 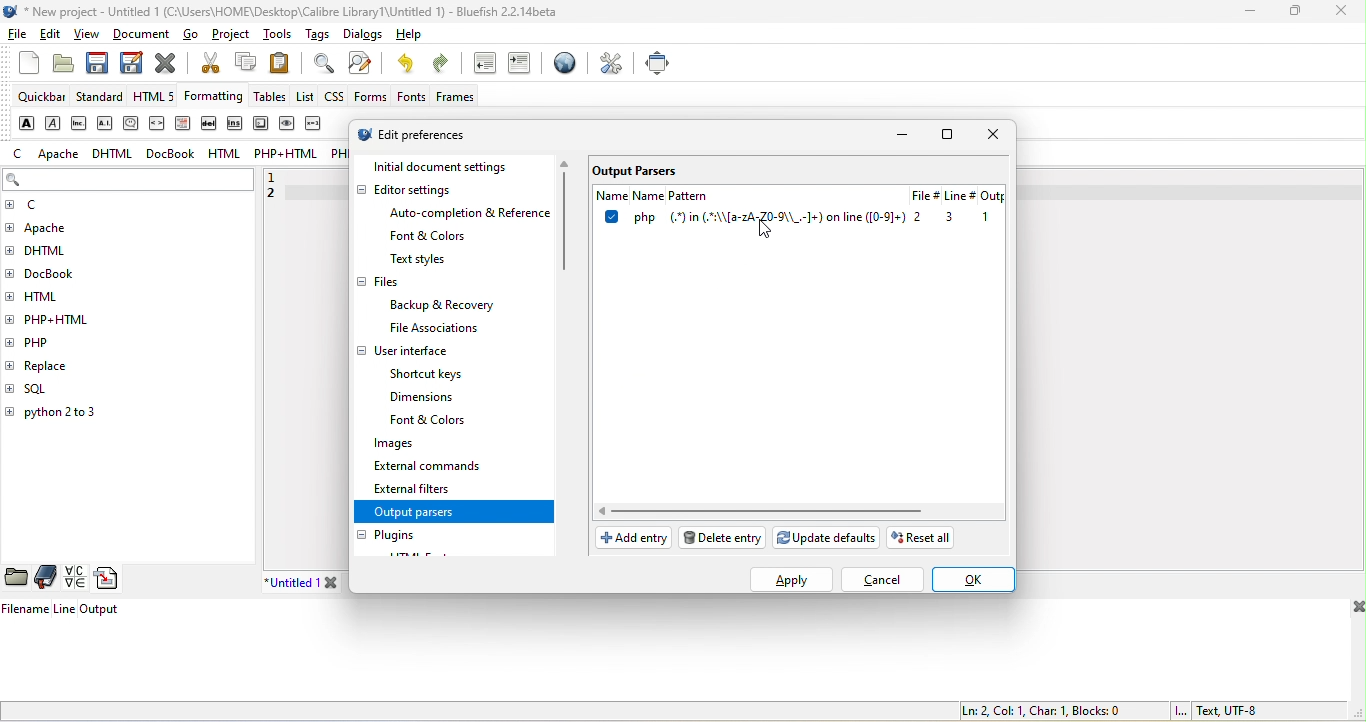 What do you see at coordinates (111, 579) in the screenshot?
I see `snippets` at bounding box center [111, 579].